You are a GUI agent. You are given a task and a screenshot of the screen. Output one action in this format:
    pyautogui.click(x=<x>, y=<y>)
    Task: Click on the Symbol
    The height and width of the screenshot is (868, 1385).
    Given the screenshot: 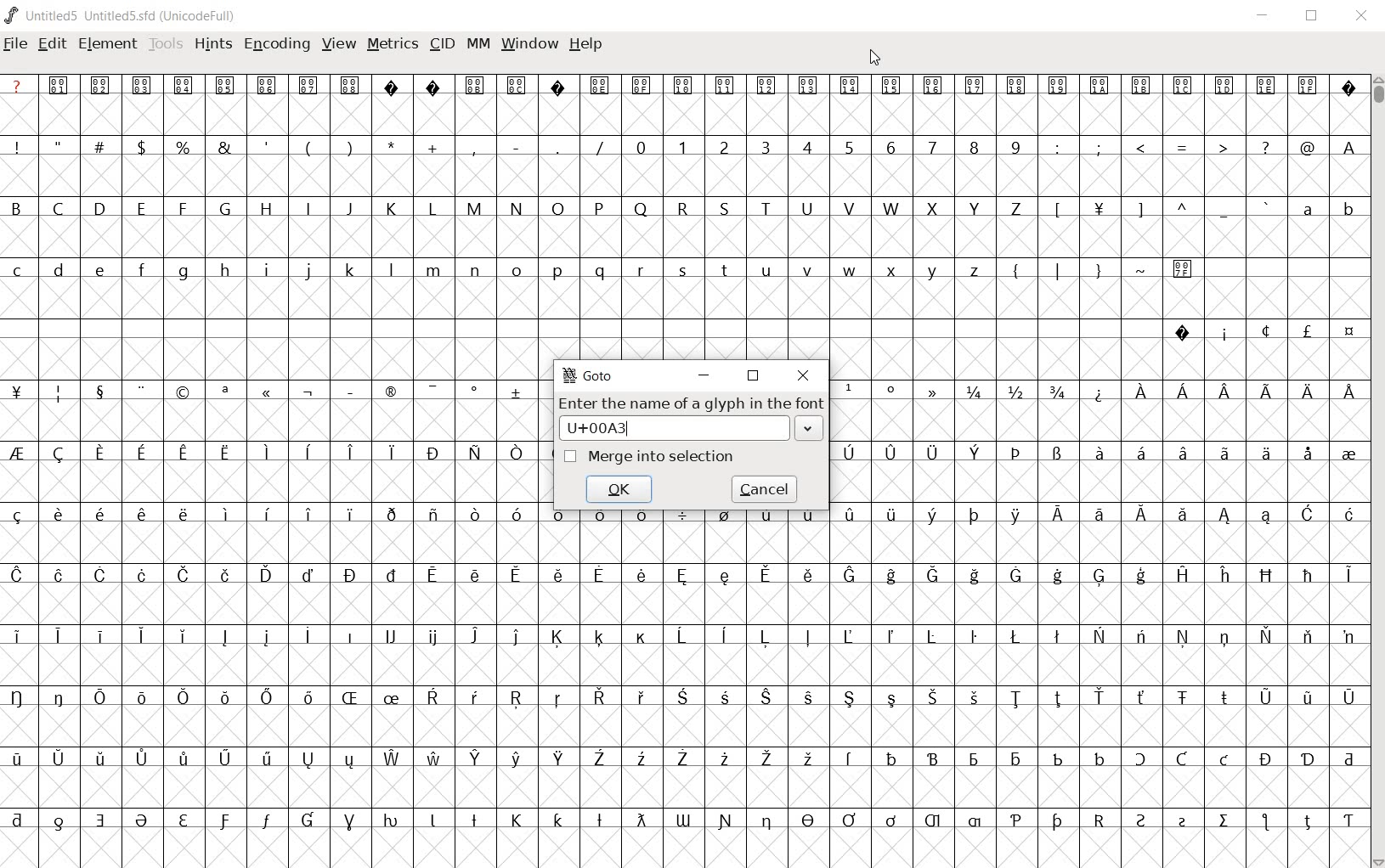 What is the action you would take?
    pyautogui.click(x=683, y=520)
    